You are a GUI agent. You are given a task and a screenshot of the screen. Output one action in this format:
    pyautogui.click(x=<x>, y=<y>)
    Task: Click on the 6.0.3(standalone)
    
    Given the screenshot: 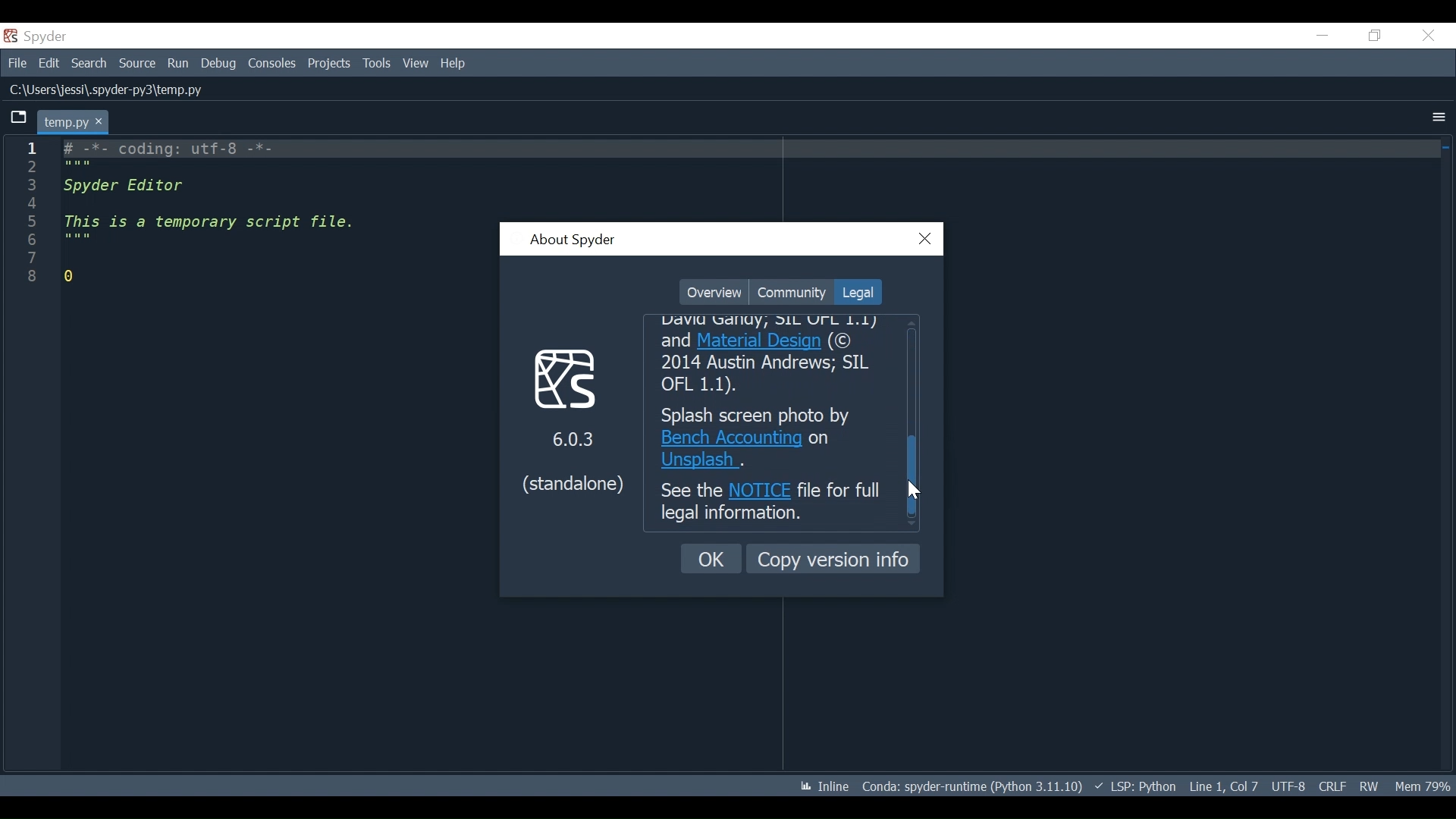 What is the action you would take?
    pyautogui.click(x=569, y=421)
    